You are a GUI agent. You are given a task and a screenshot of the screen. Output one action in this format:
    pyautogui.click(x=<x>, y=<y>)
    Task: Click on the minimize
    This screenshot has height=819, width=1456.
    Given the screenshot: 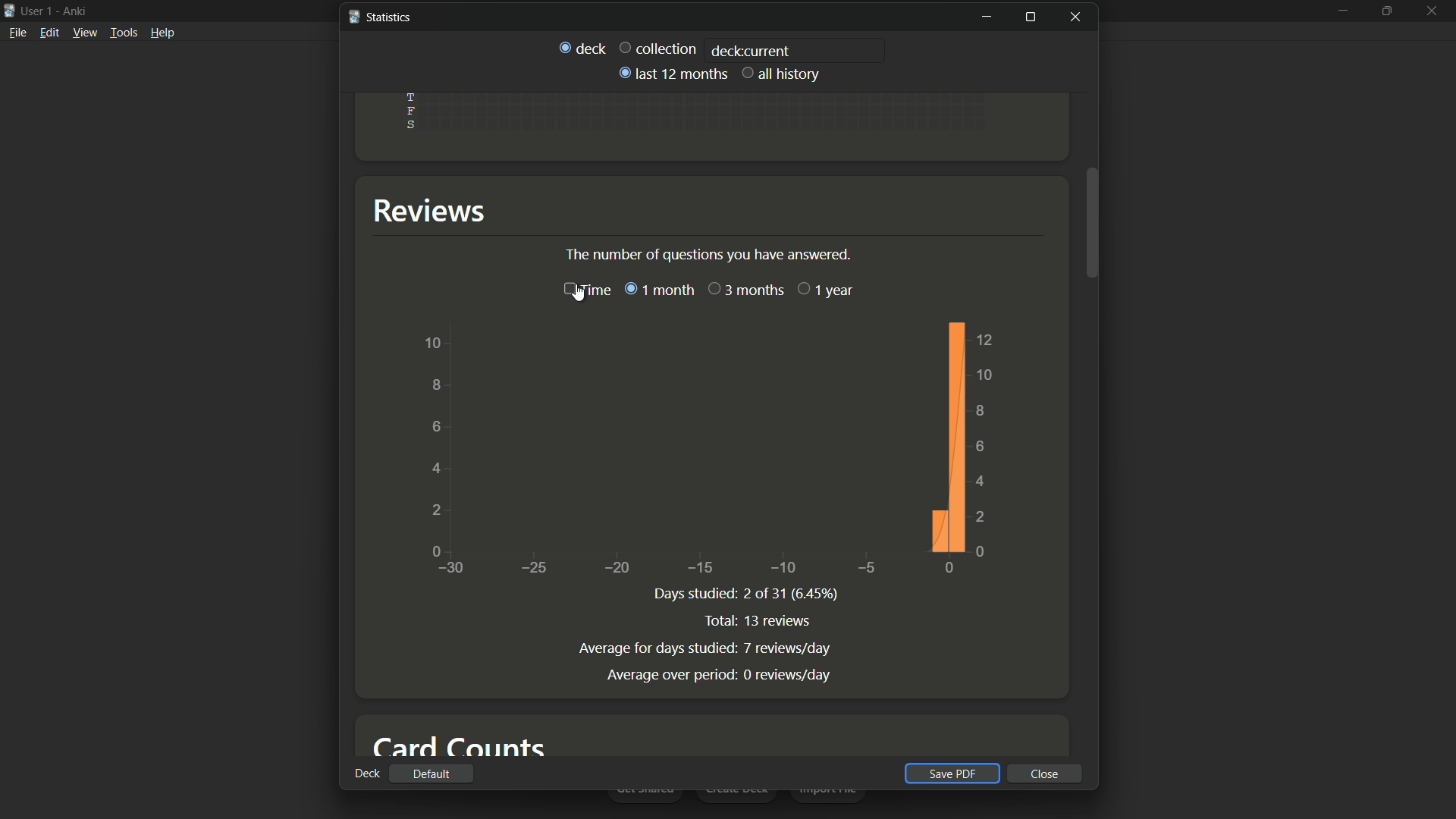 What is the action you would take?
    pyautogui.click(x=1343, y=11)
    